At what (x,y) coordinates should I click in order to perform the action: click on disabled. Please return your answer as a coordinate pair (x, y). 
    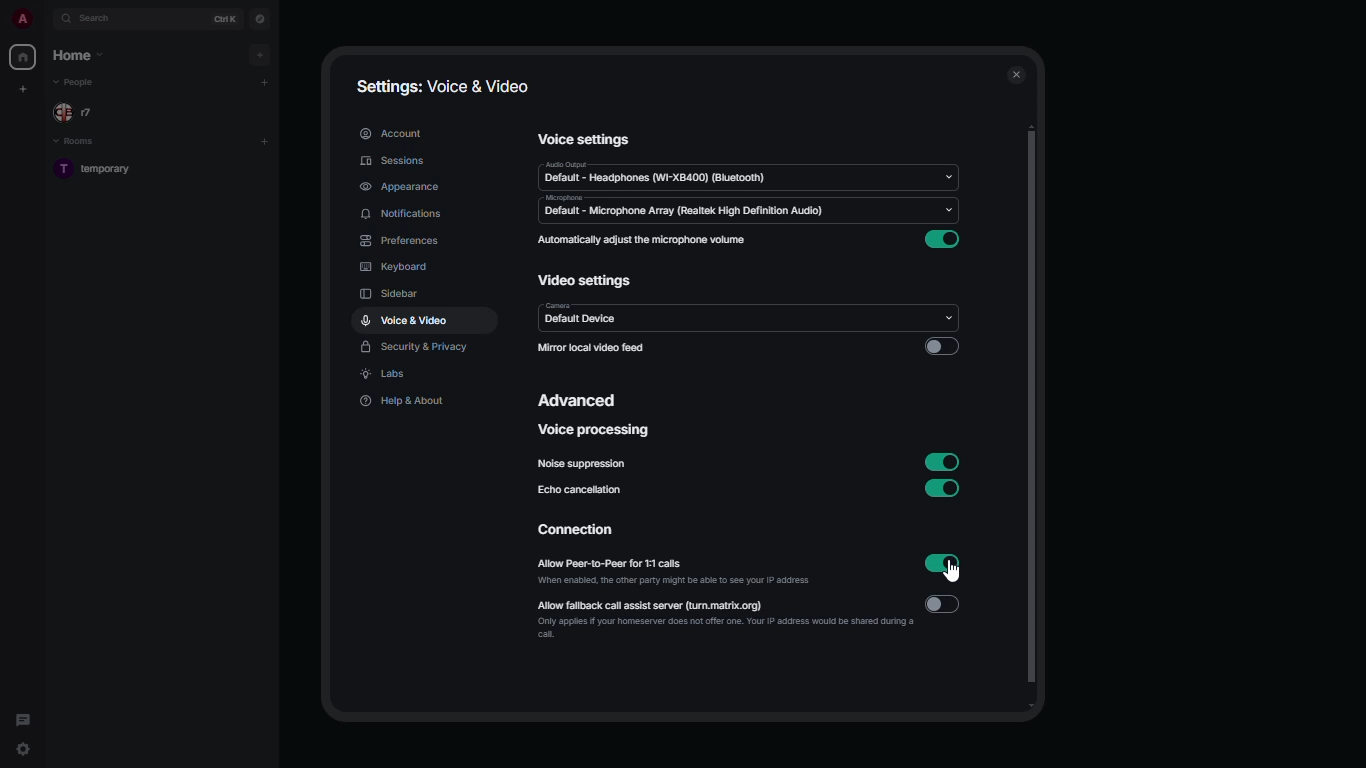
    Looking at the image, I should click on (941, 346).